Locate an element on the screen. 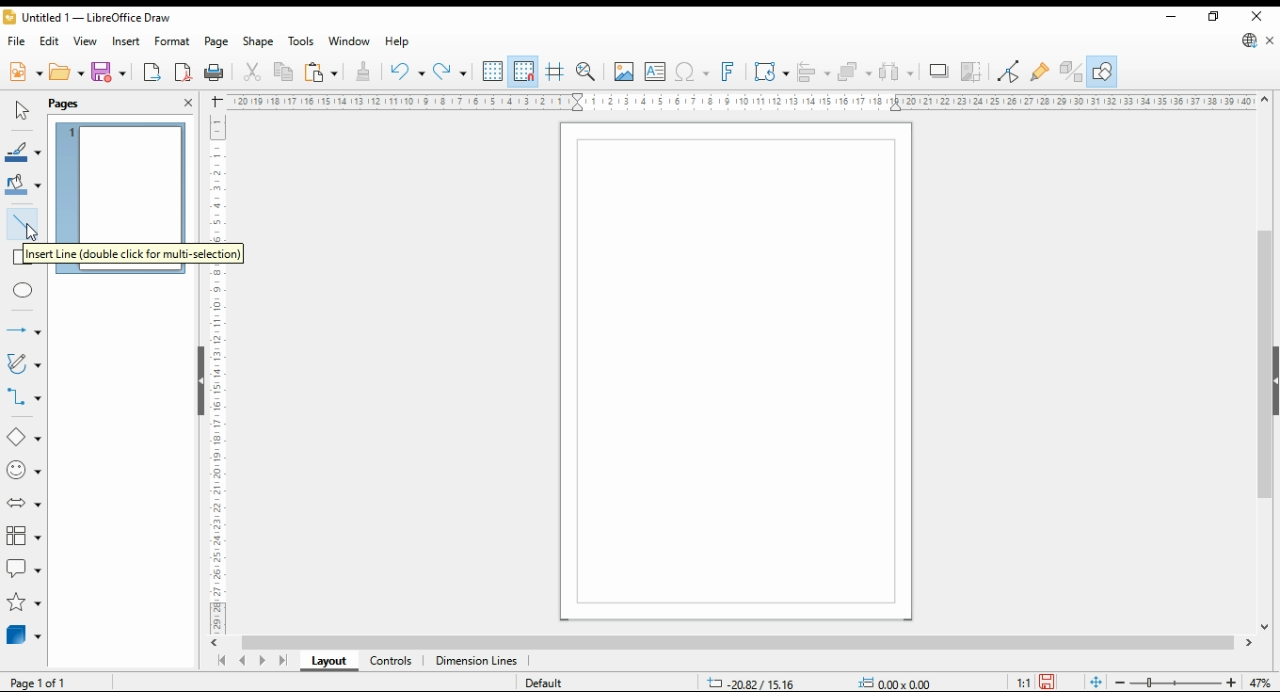  lines and arrows is located at coordinates (23, 332).